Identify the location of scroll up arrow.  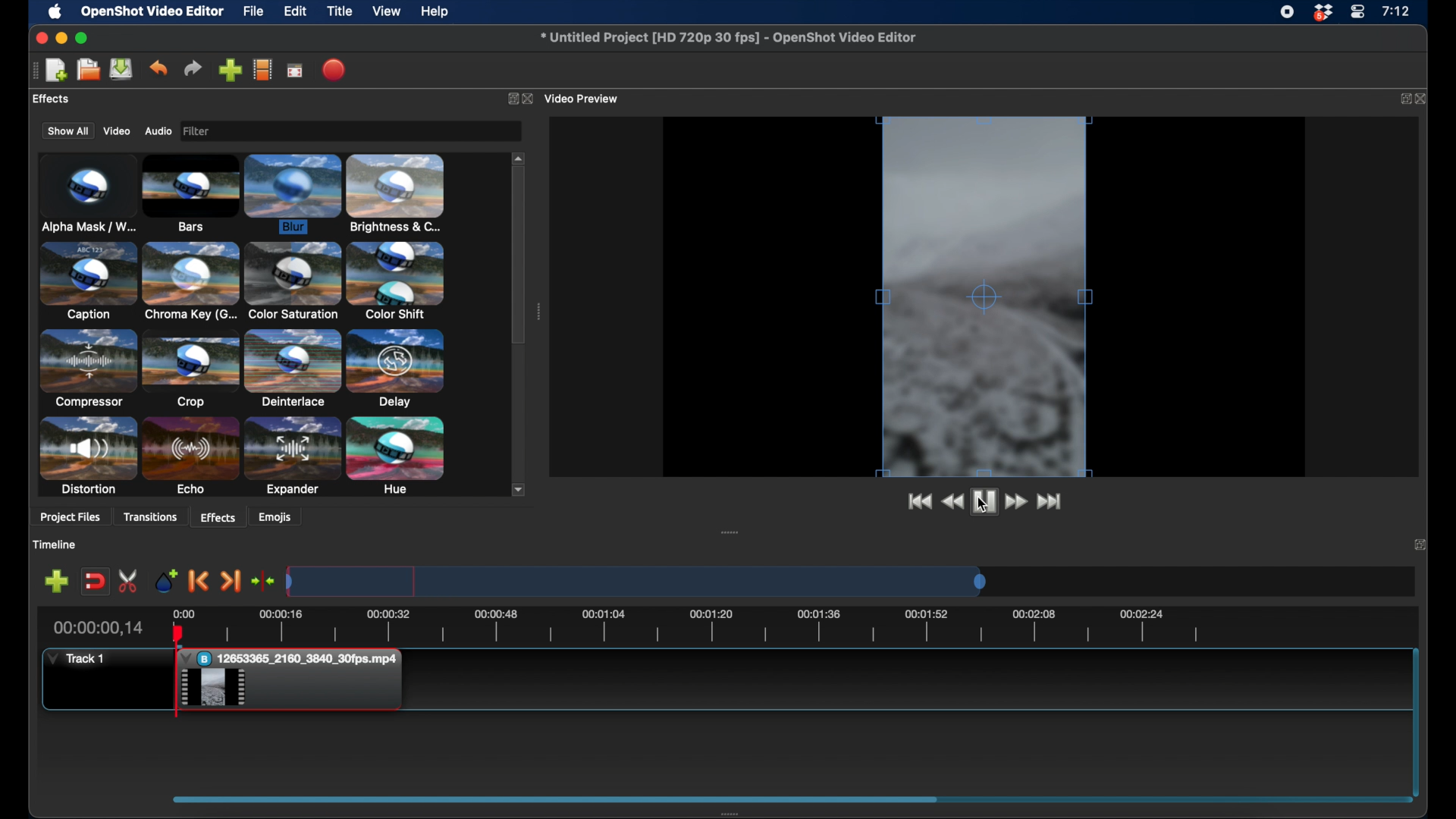
(519, 157).